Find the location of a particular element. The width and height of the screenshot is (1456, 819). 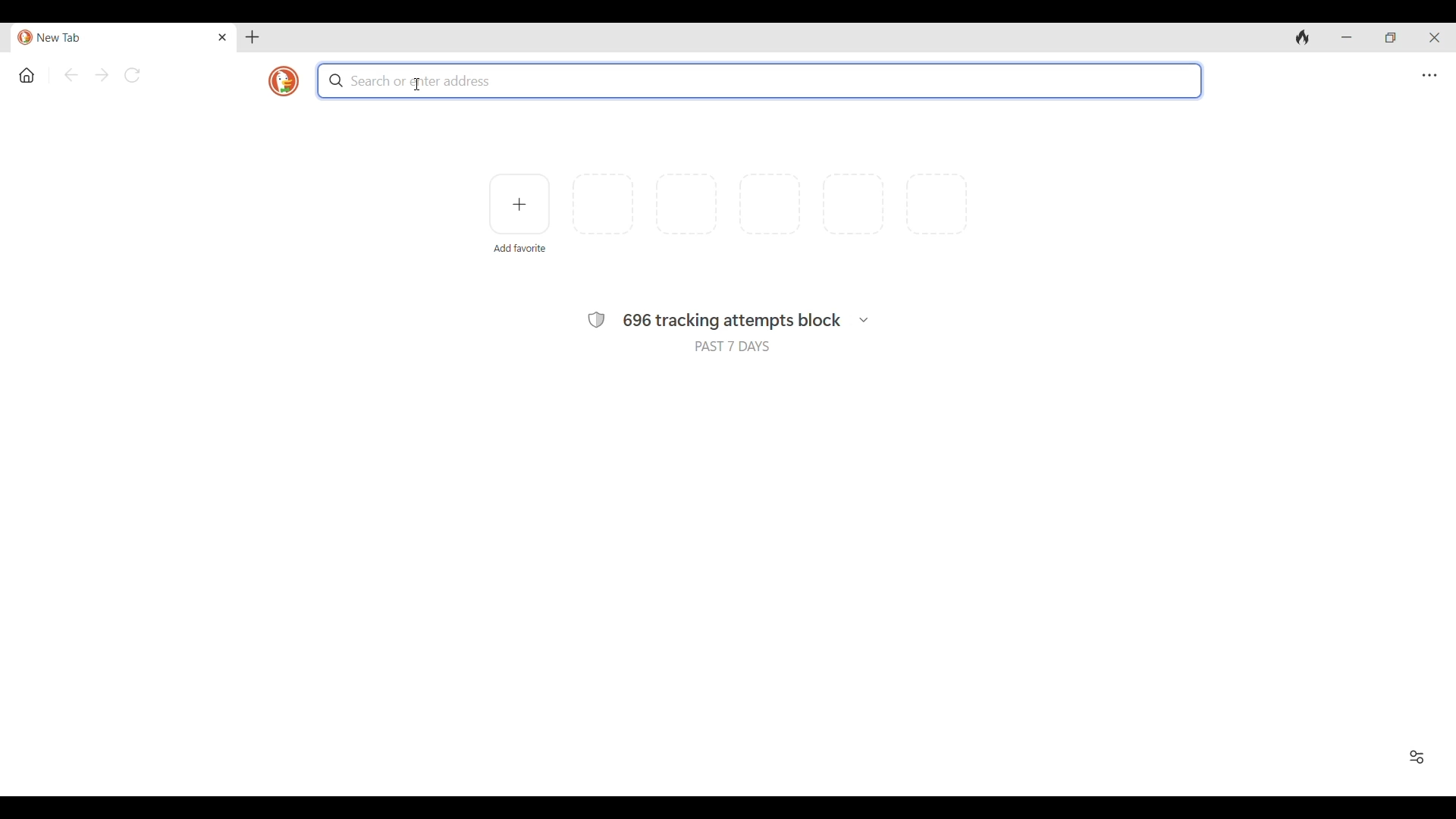

Go back is located at coordinates (71, 75).